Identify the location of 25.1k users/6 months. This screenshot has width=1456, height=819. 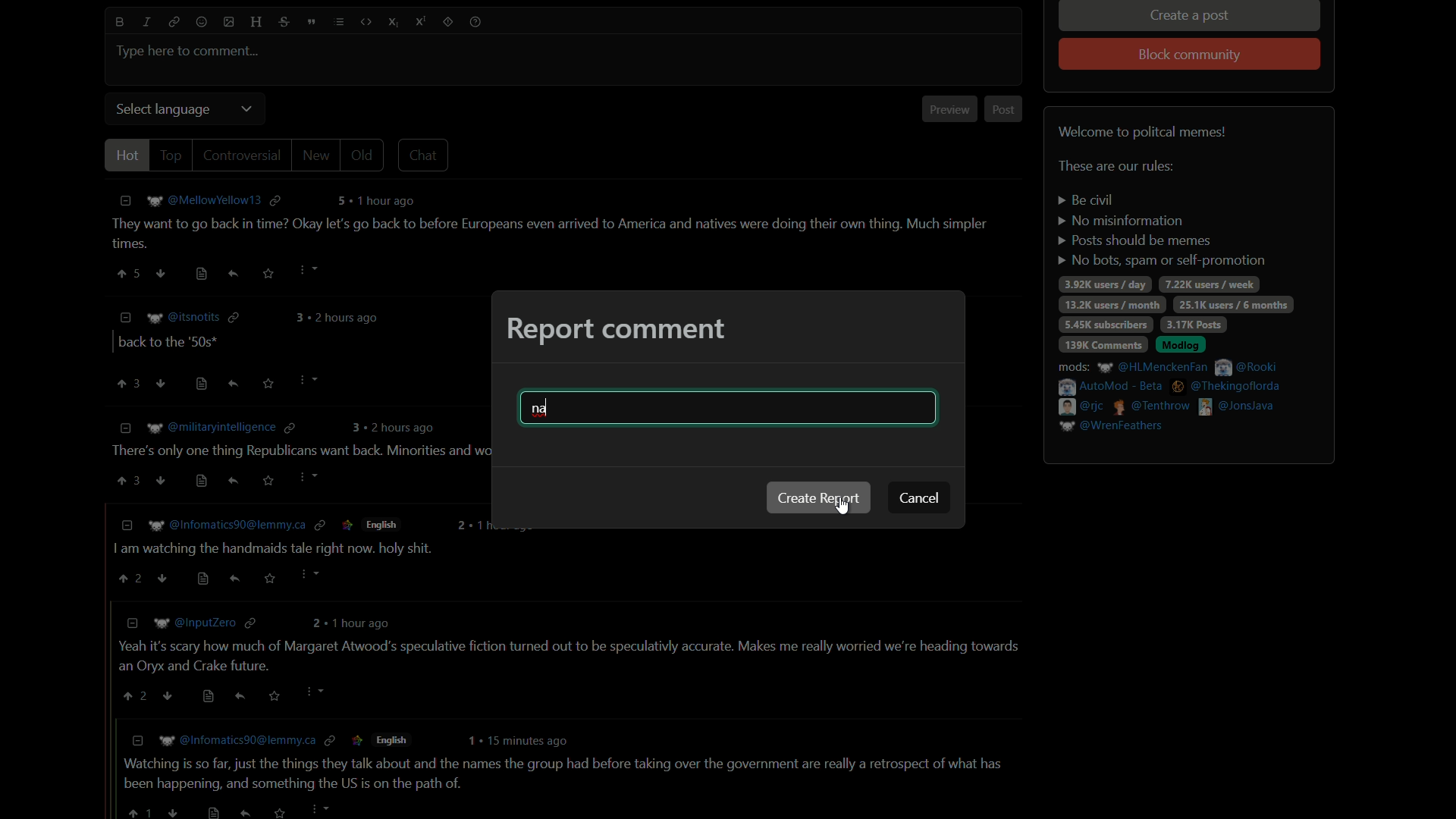
(1234, 306).